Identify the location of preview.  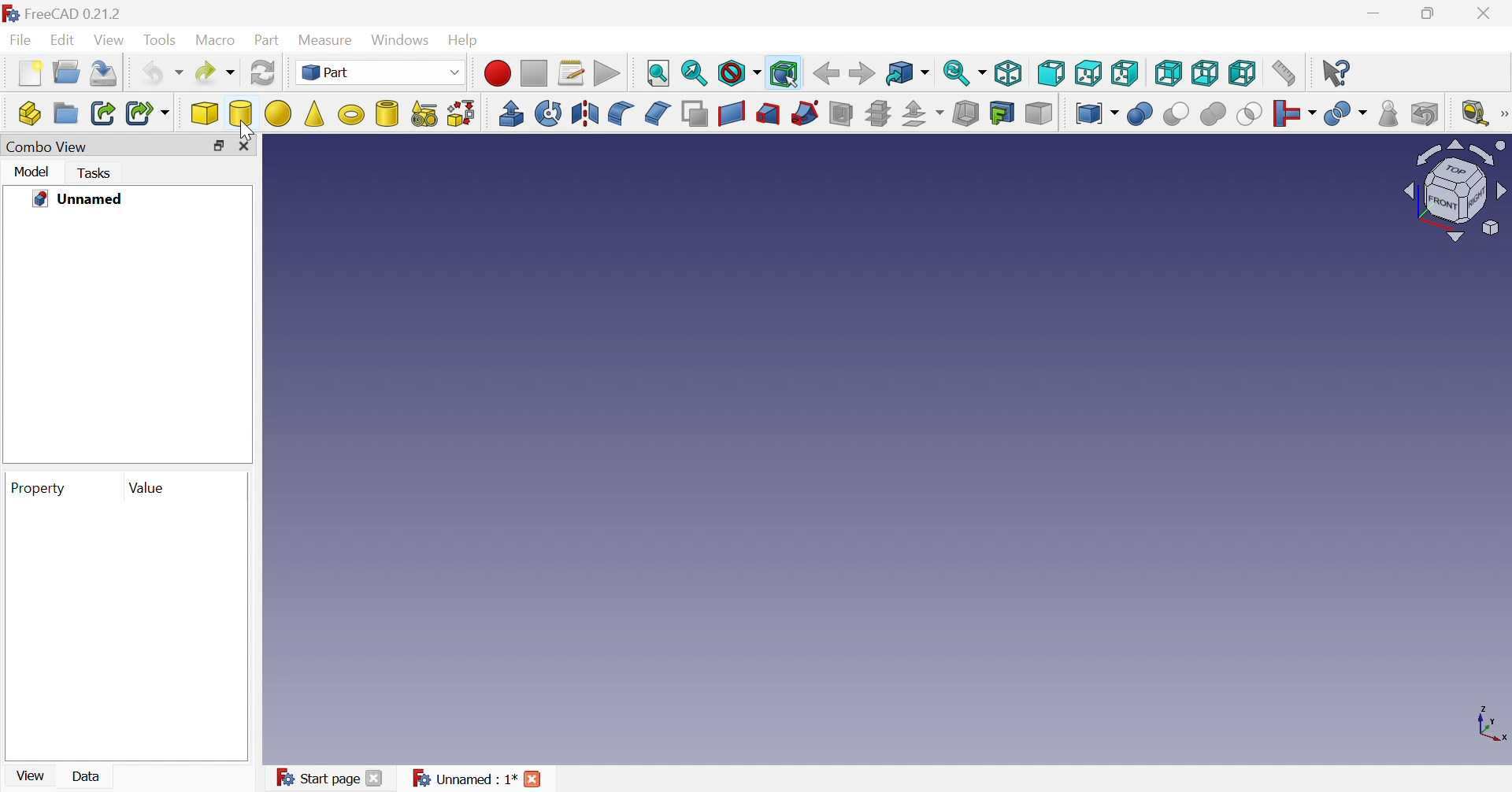
(125, 342).